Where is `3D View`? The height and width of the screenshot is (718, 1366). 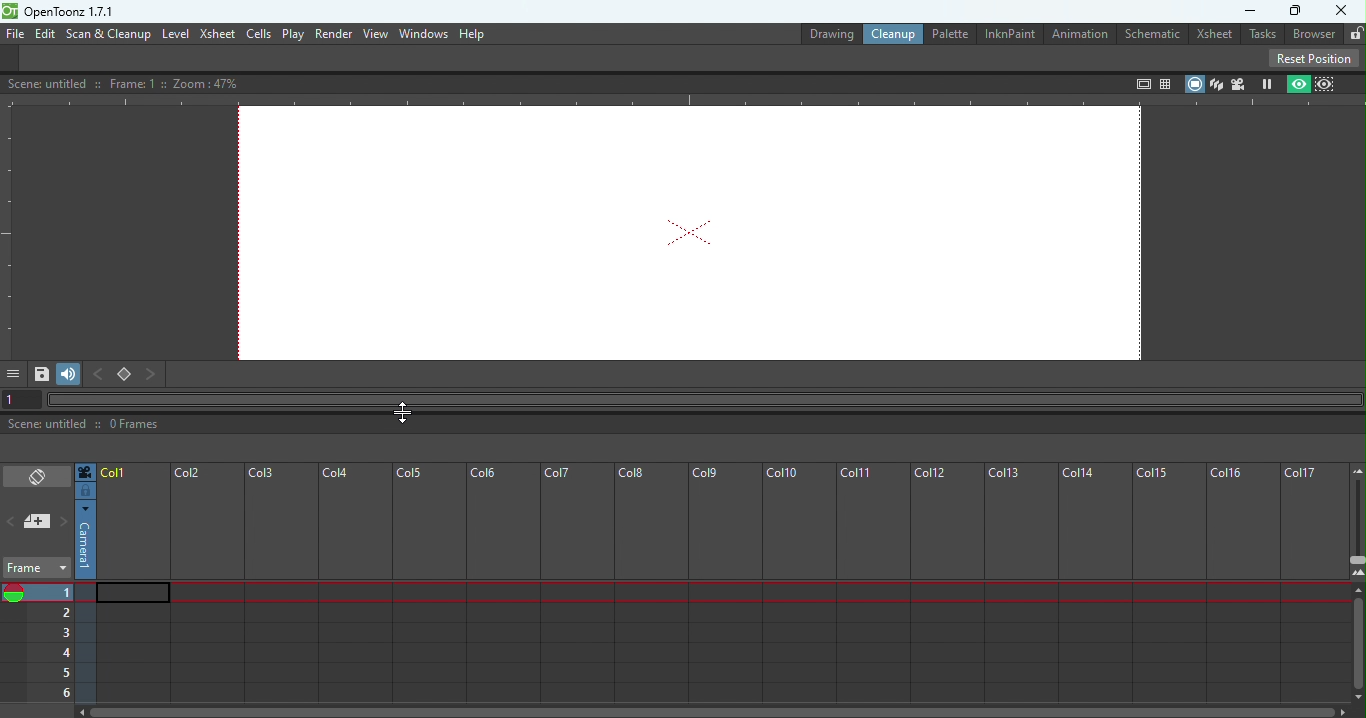
3D View is located at coordinates (1216, 81).